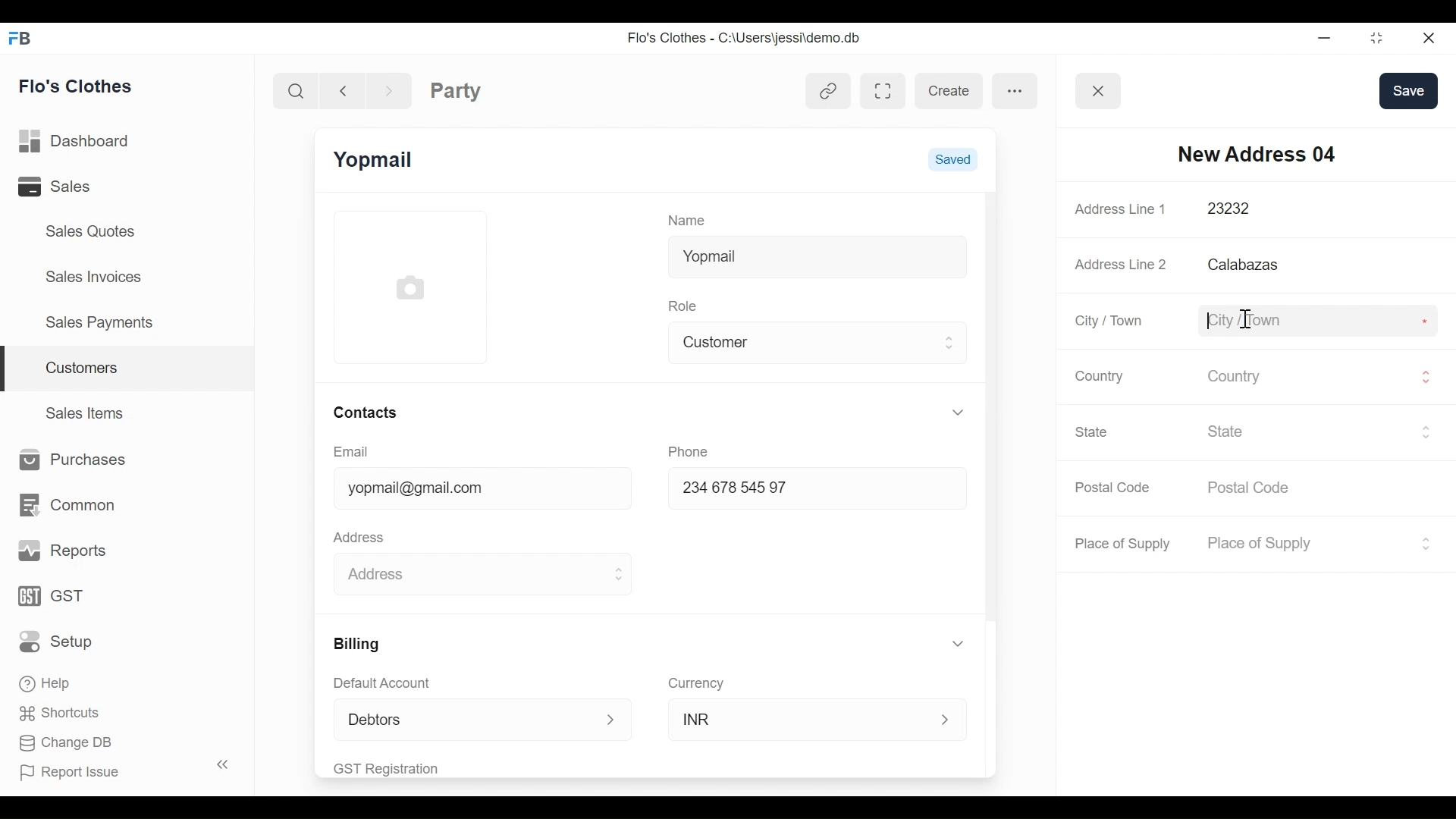  I want to click on Address Line 1, so click(1122, 209).